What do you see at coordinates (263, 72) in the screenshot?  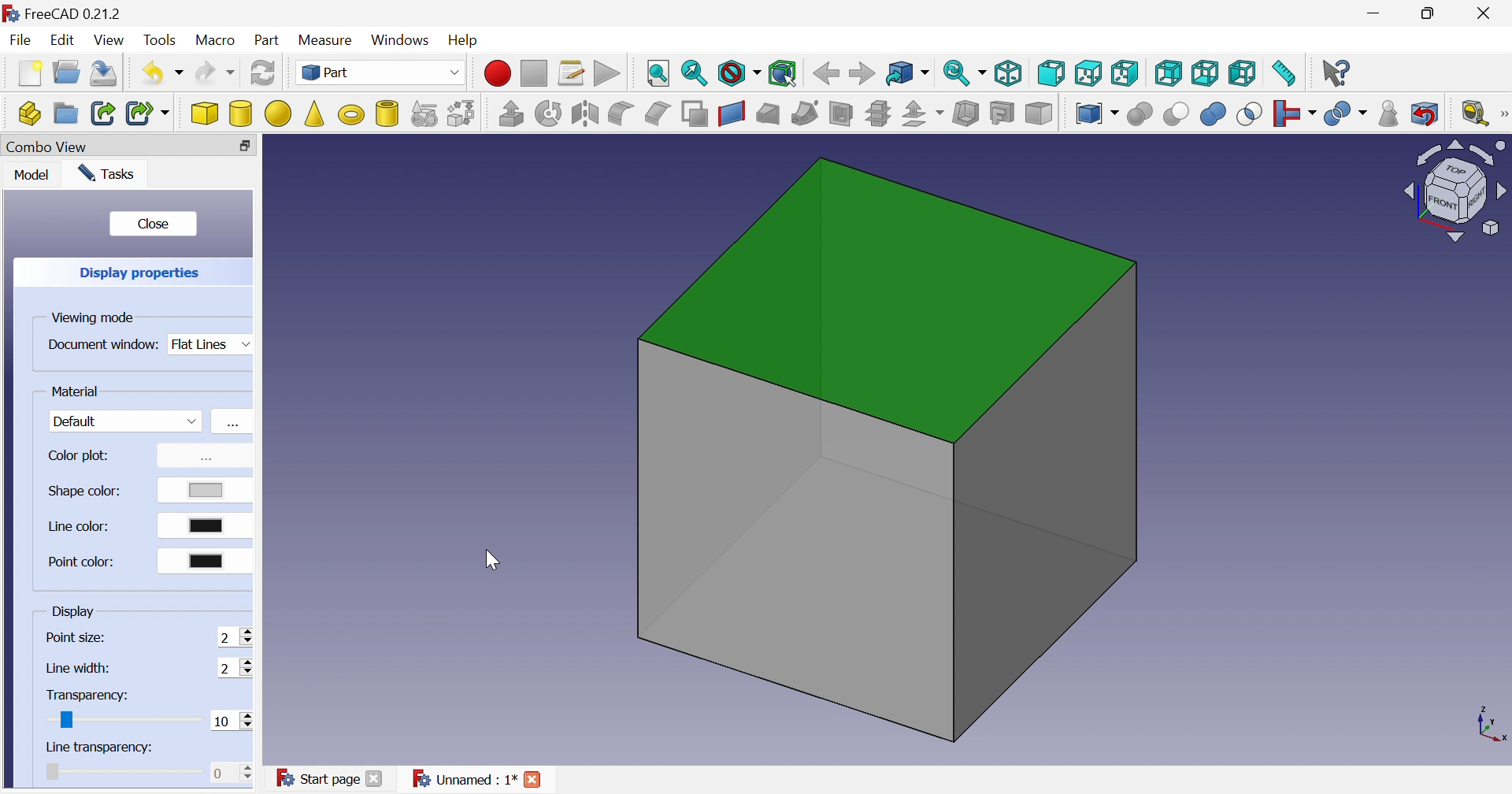 I see `Refresh` at bounding box center [263, 72].